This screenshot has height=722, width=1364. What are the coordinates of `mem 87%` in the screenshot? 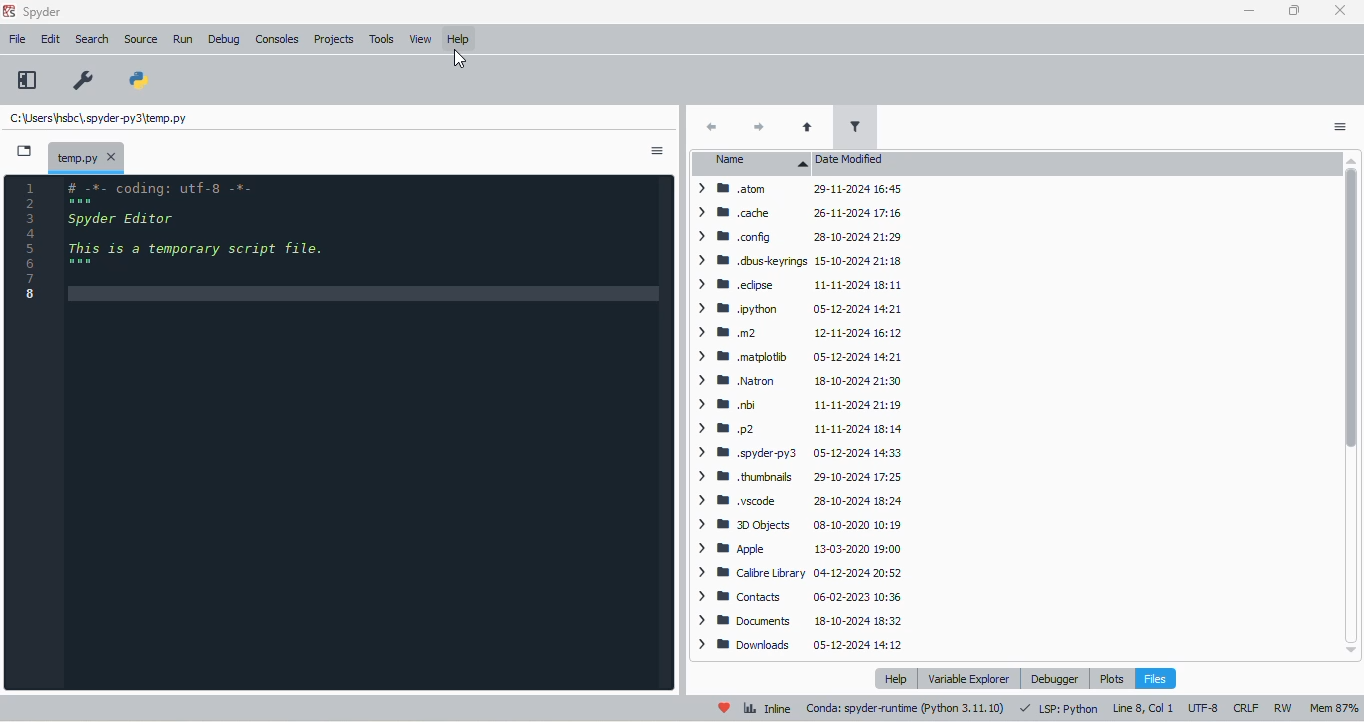 It's located at (1335, 710).